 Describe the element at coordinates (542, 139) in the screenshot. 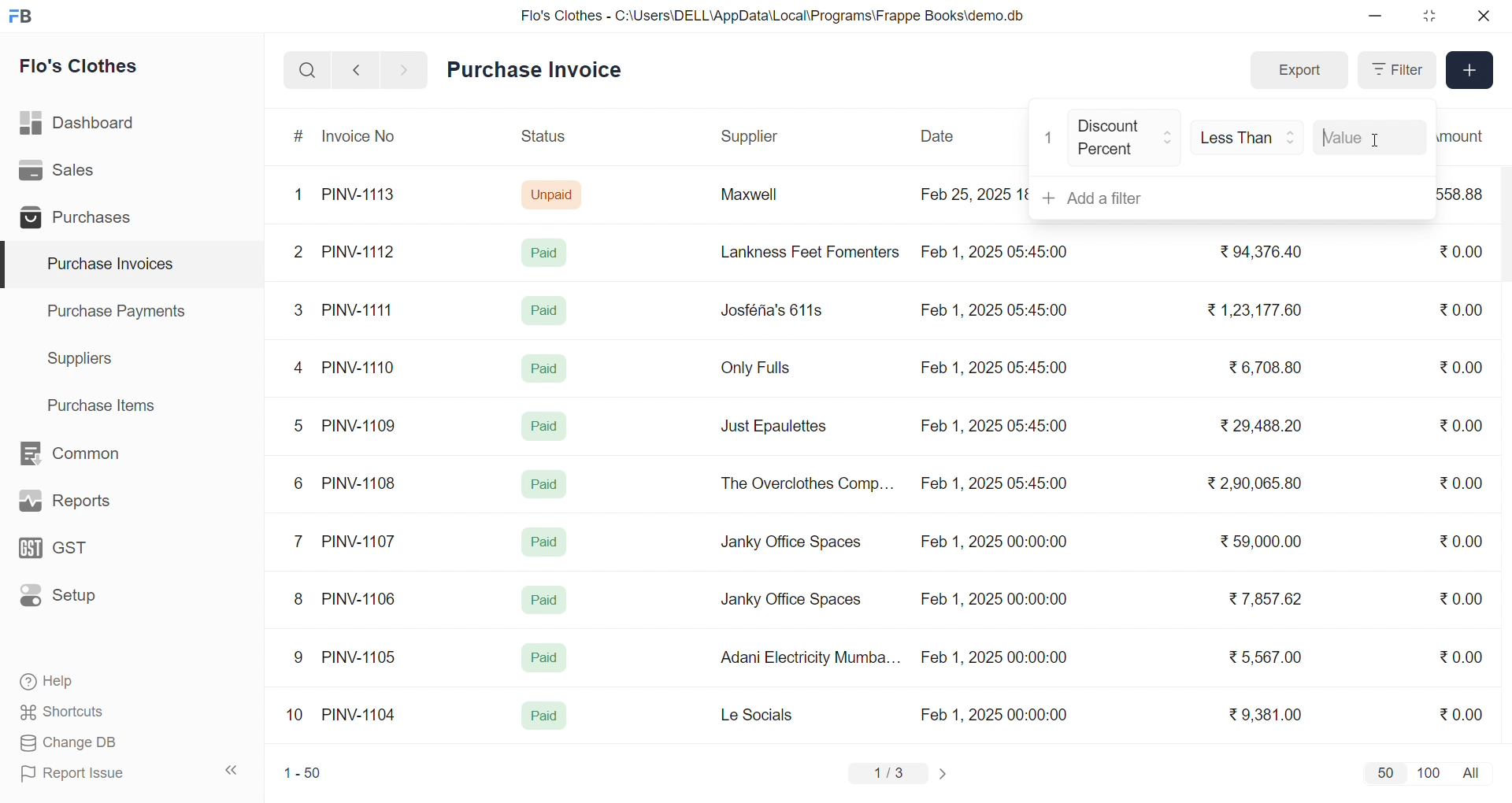

I see `Status` at that location.